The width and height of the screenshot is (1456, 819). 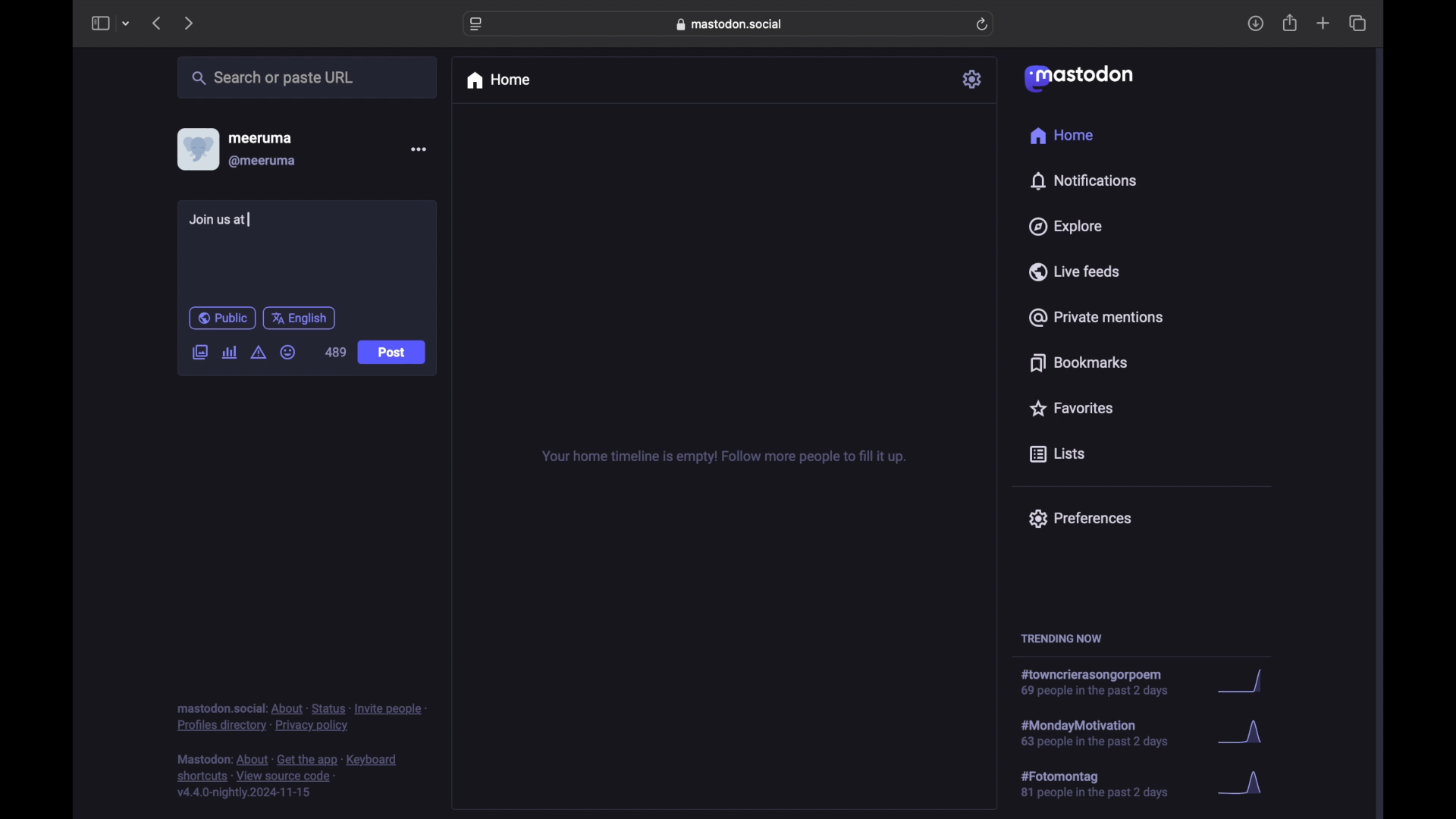 What do you see at coordinates (1057, 455) in the screenshot?
I see `lists` at bounding box center [1057, 455].